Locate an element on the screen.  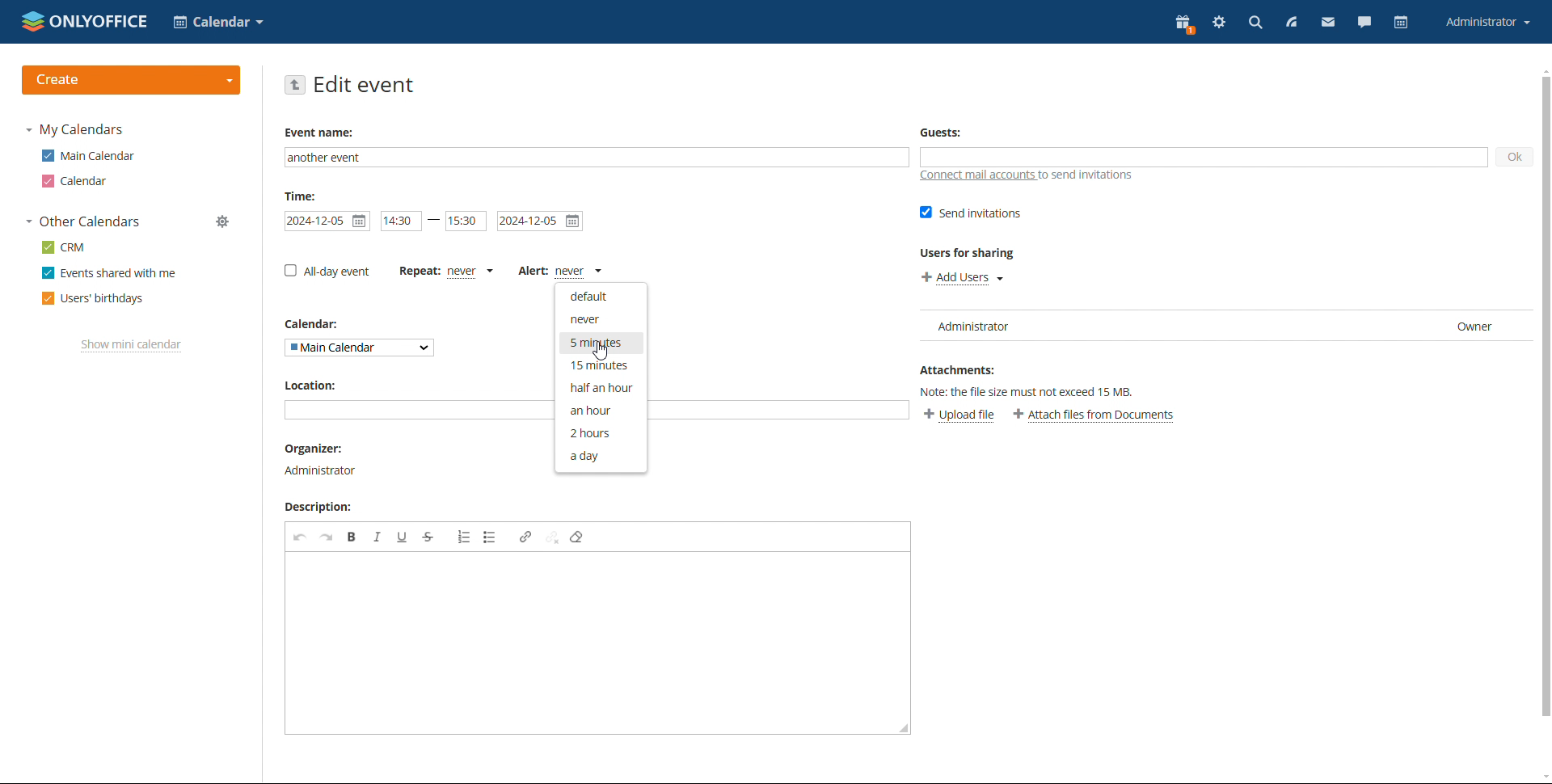
a day is located at coordinates (601, 456).